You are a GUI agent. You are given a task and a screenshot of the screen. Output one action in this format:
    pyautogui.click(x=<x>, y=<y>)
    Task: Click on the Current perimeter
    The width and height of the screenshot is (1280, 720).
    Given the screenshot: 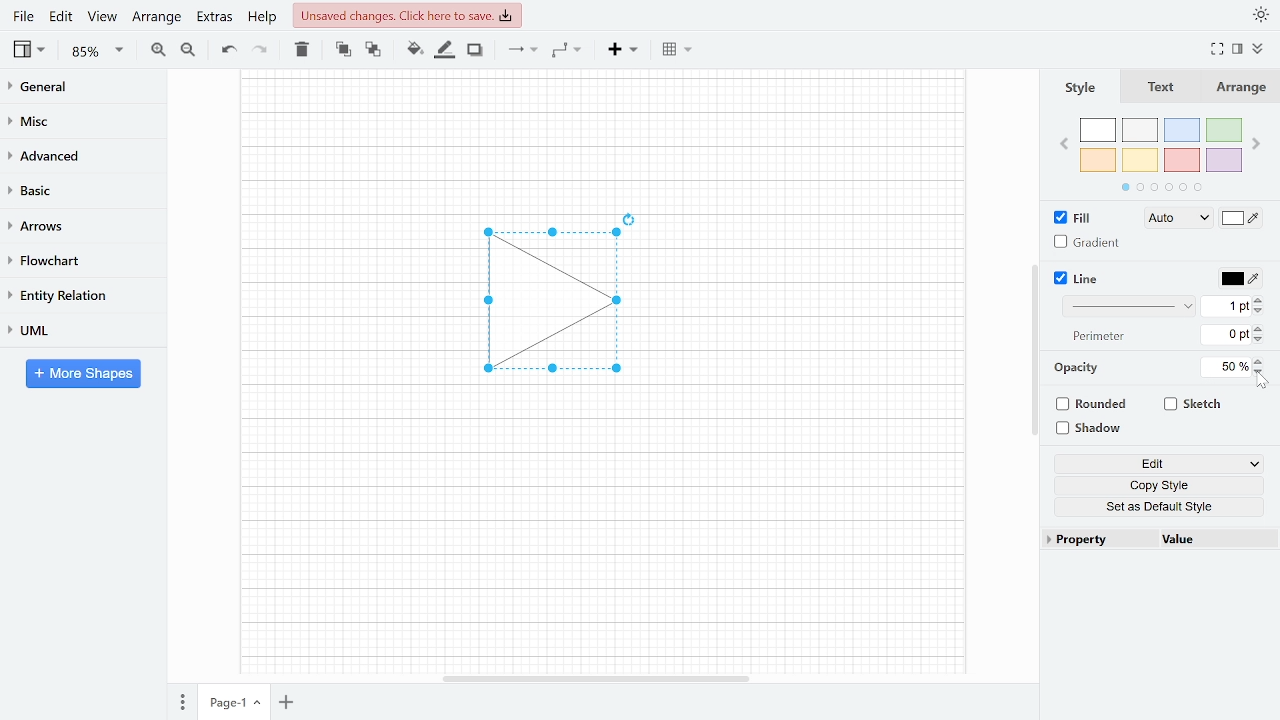 What is the action you would take?
    pyautogui.click(x=1226, y=337)
    